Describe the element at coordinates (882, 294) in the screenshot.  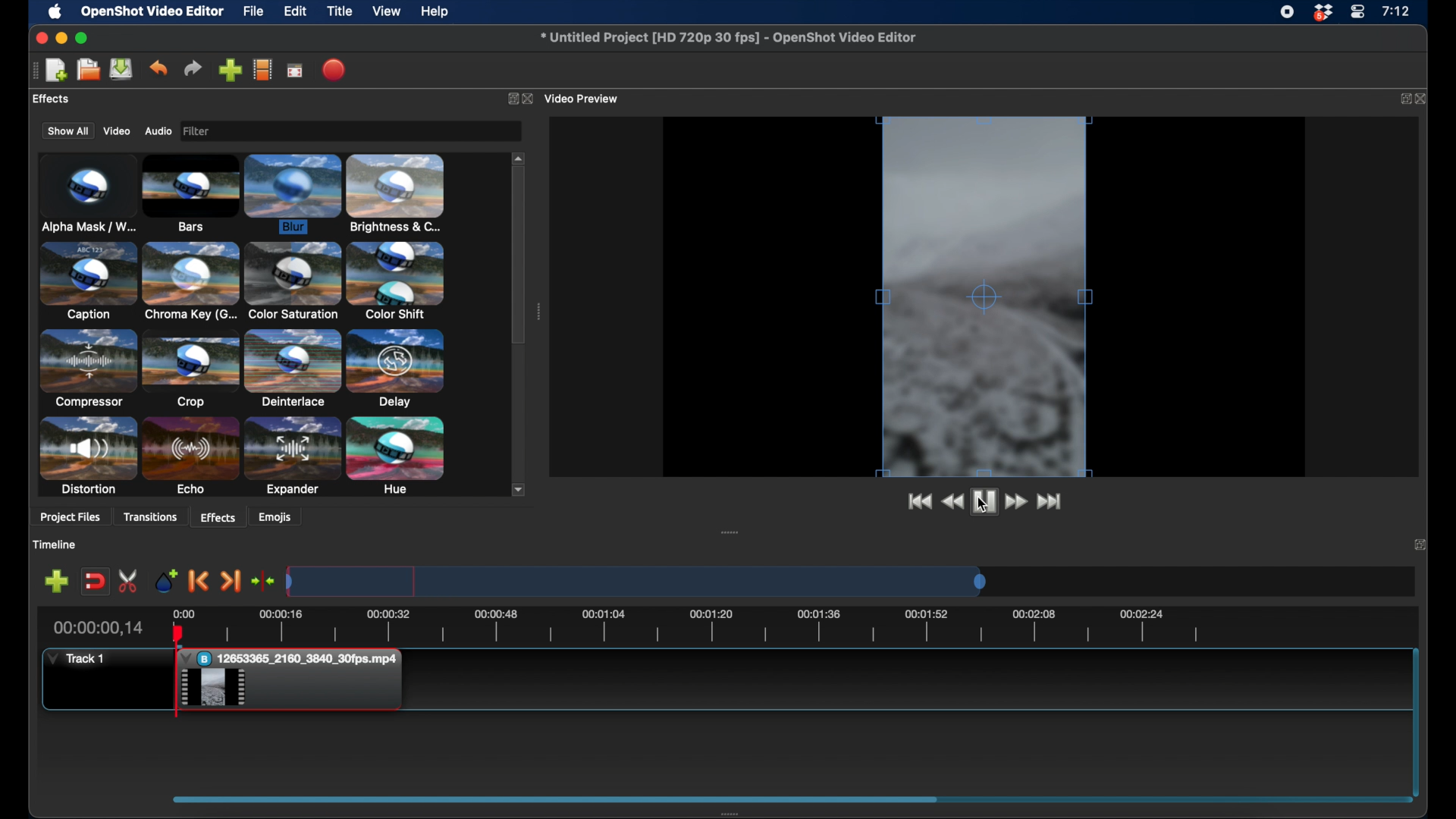
I see `resize handle` at that location.